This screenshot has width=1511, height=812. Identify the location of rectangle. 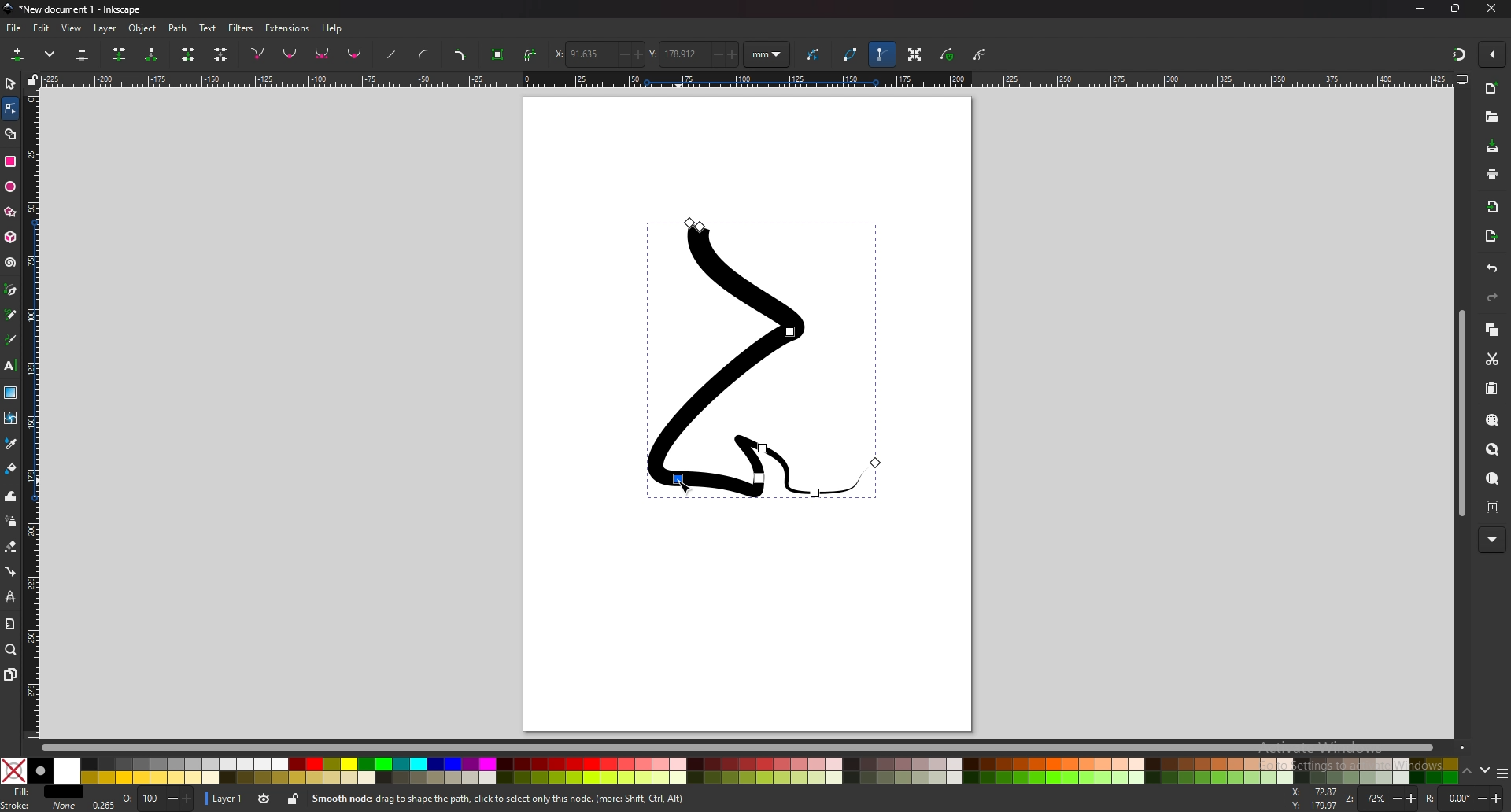
(12, 162).